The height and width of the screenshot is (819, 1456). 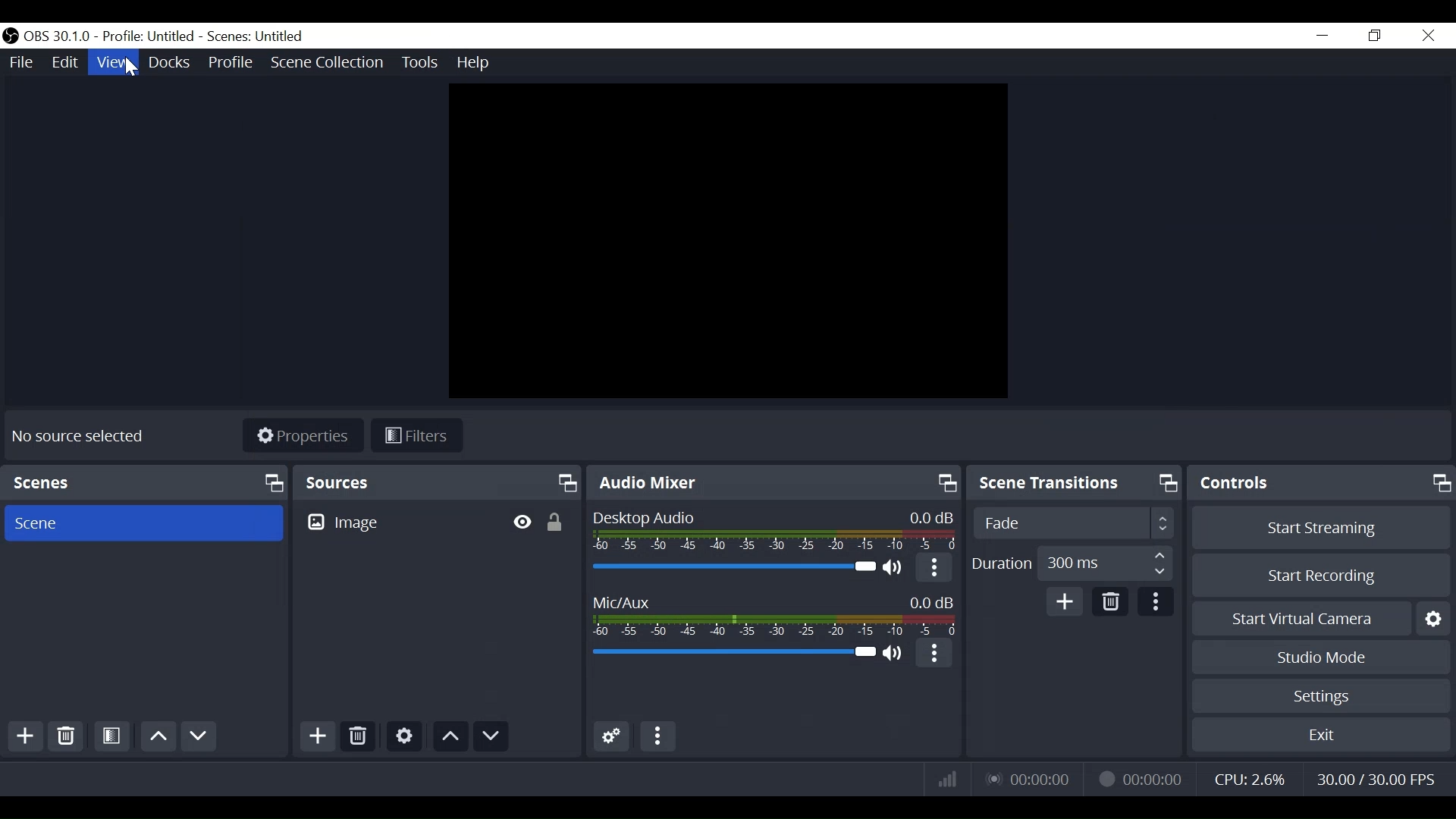 I want to click on File, so click(x=24, y=62).